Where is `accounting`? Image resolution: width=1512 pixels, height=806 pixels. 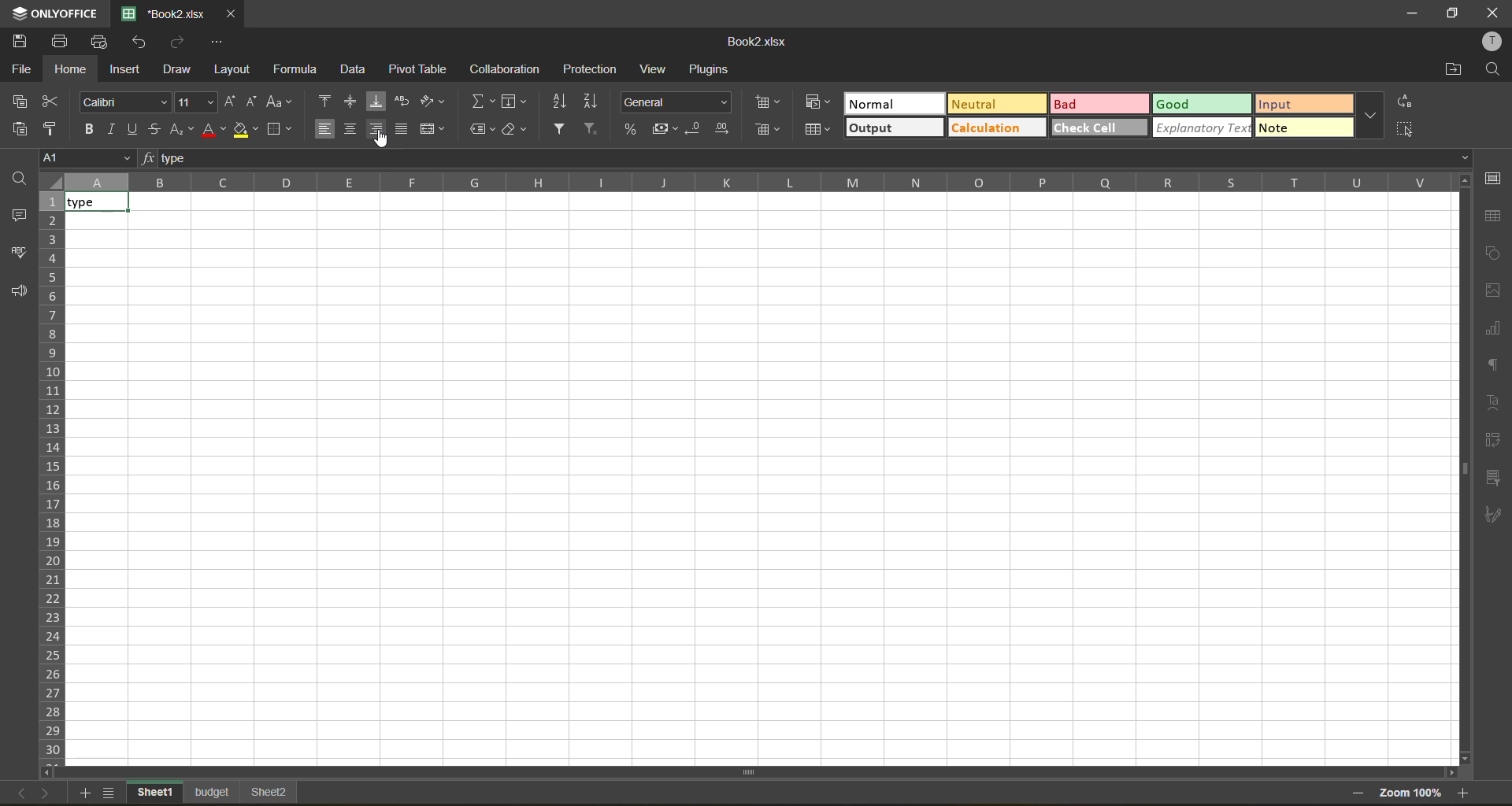
accounting is located at coordinates (667, 128).